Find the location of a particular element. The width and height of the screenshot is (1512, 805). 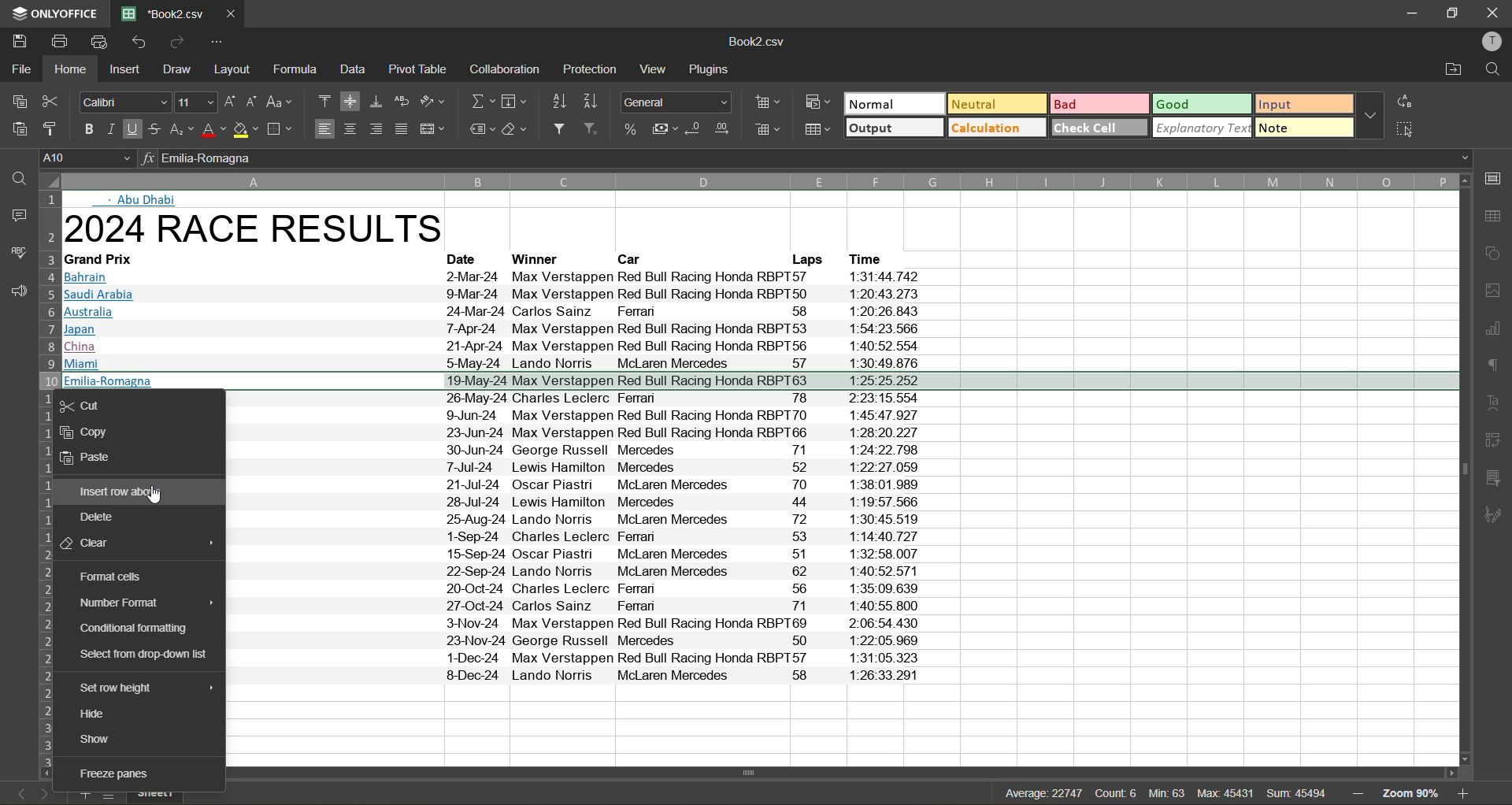

plugins is located at coordinates (713, 69).